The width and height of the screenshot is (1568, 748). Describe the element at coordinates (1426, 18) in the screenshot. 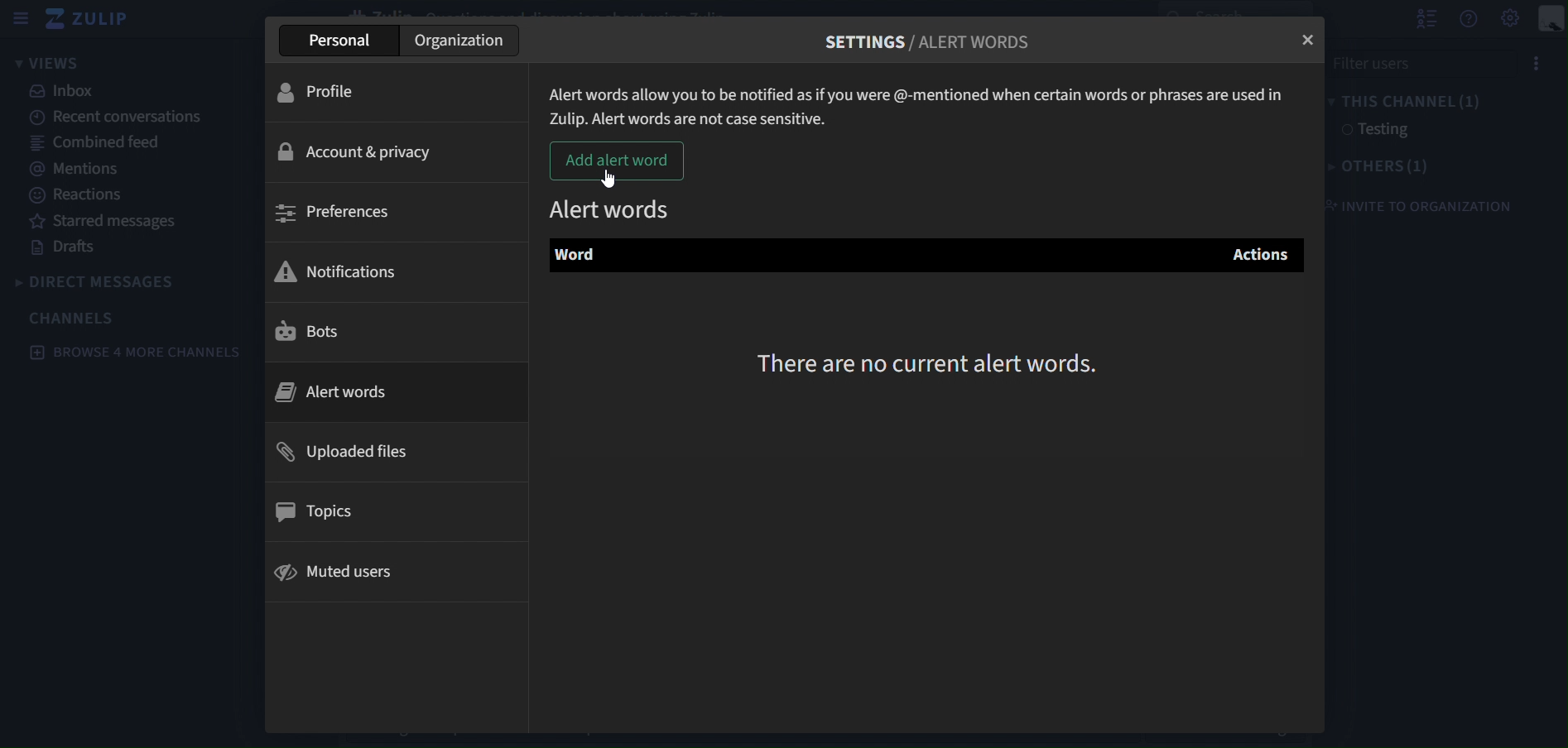

I see `hide user list` at that location.